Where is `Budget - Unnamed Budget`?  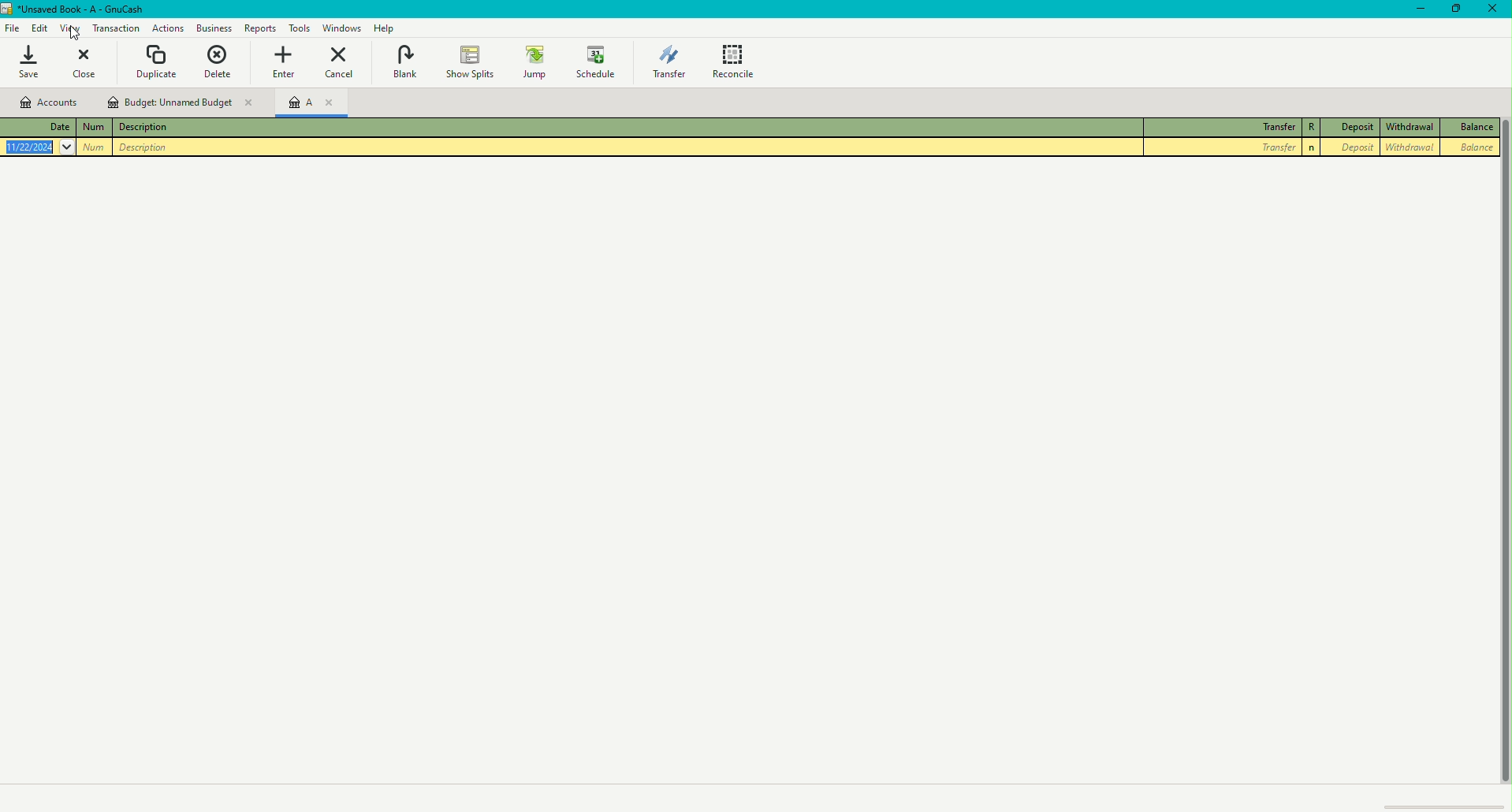 Budget - Unnamed Budget is located at coordinates (181, 102).